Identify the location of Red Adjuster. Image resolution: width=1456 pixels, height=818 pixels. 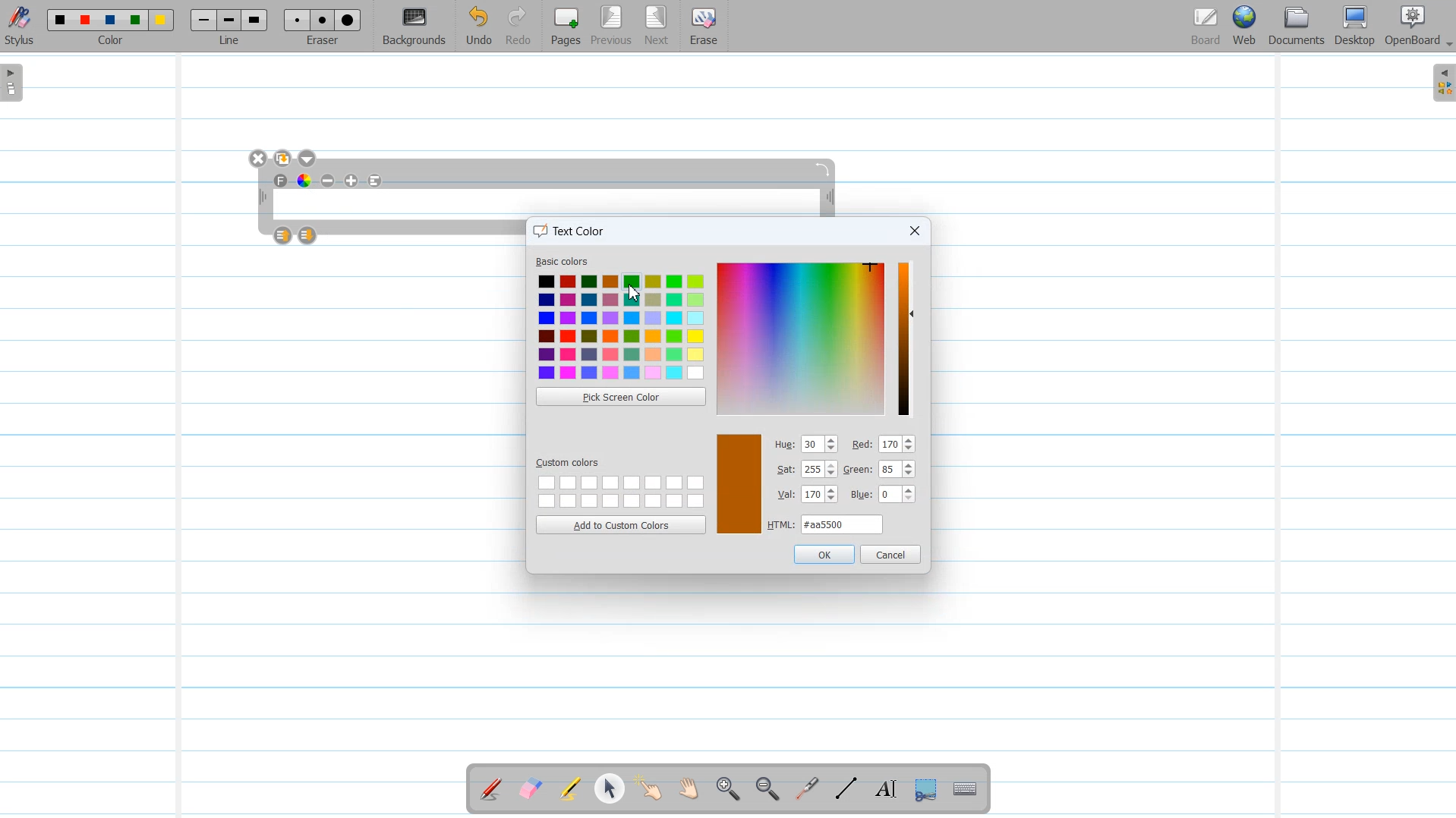
(884, 445).